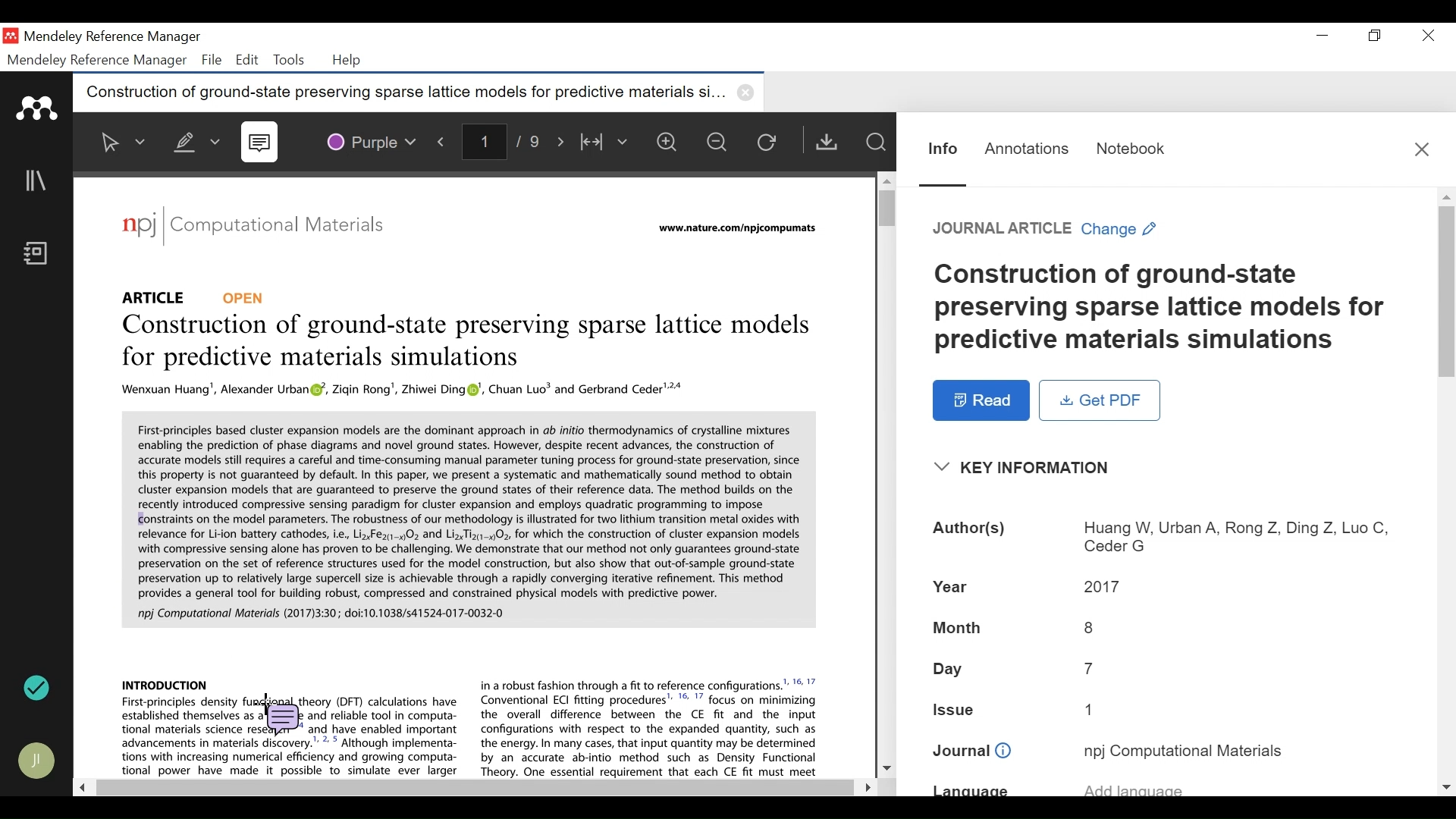  I want to click on Cursor, so click(266, 704).